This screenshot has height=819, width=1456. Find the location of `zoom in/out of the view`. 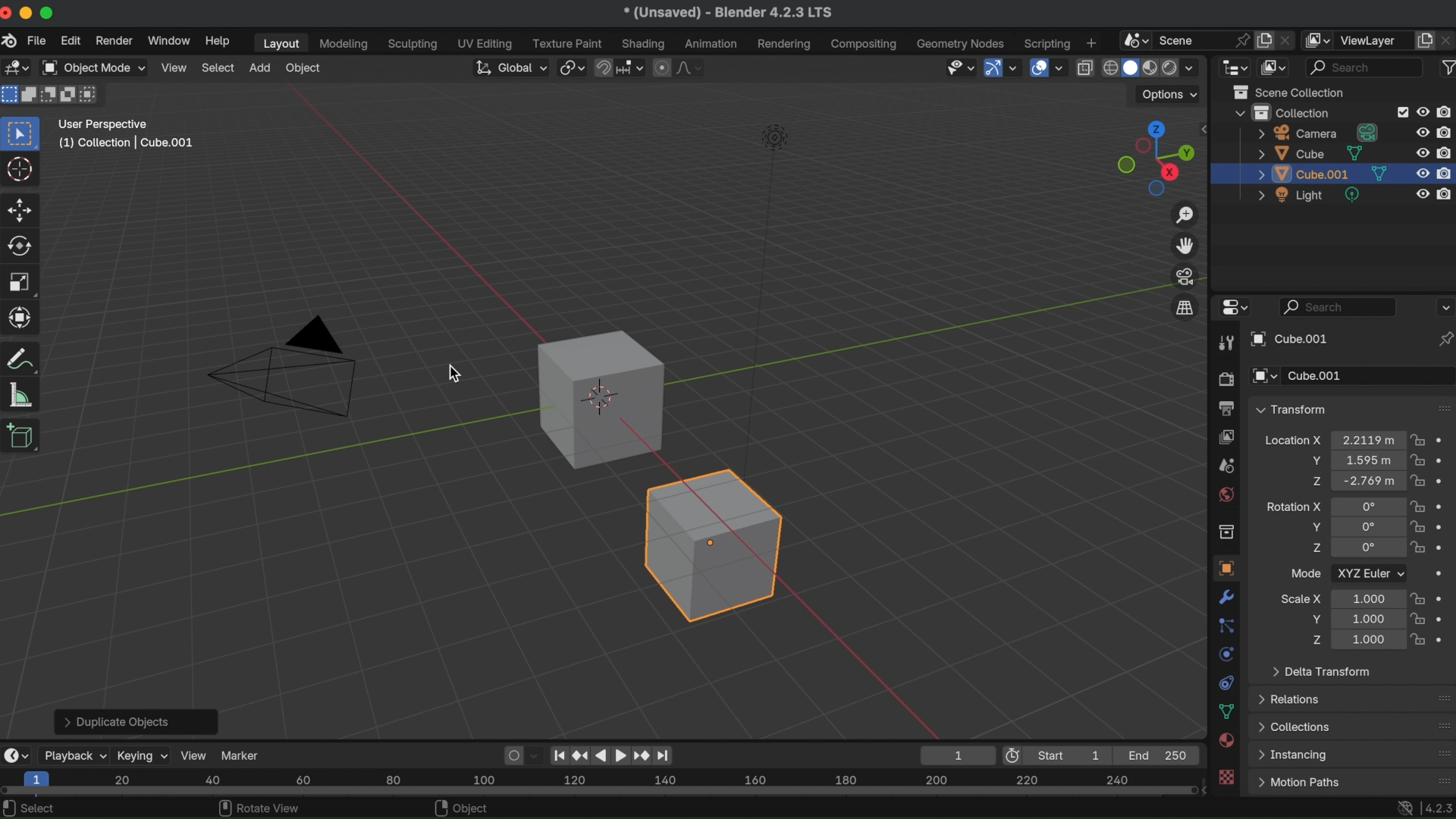

zoom in/out of the view is located at coordinates (1187, 215).